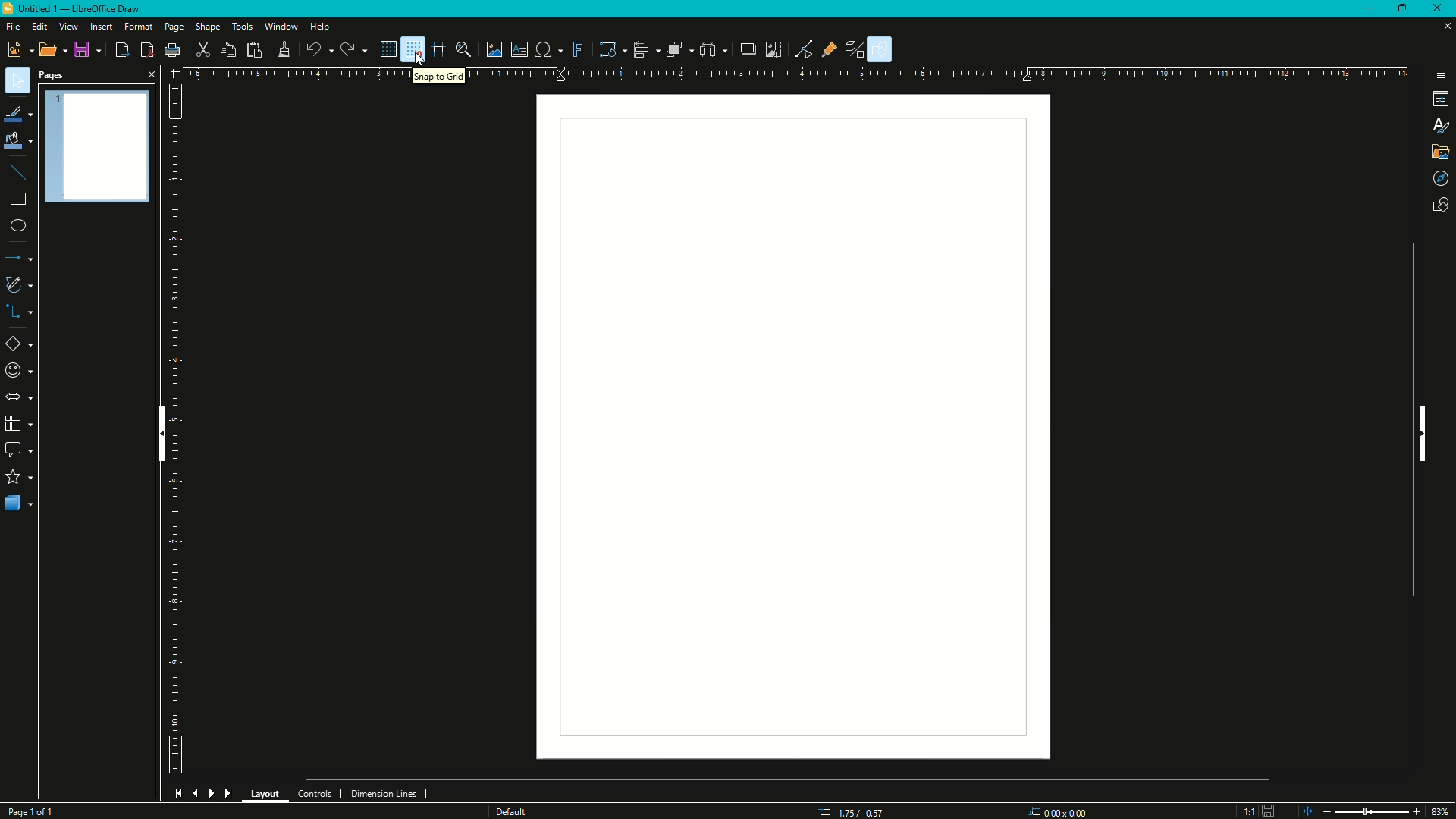 The width and height of the screenshot is (1456, 819). I want to click on Cut, so click(207, 49).